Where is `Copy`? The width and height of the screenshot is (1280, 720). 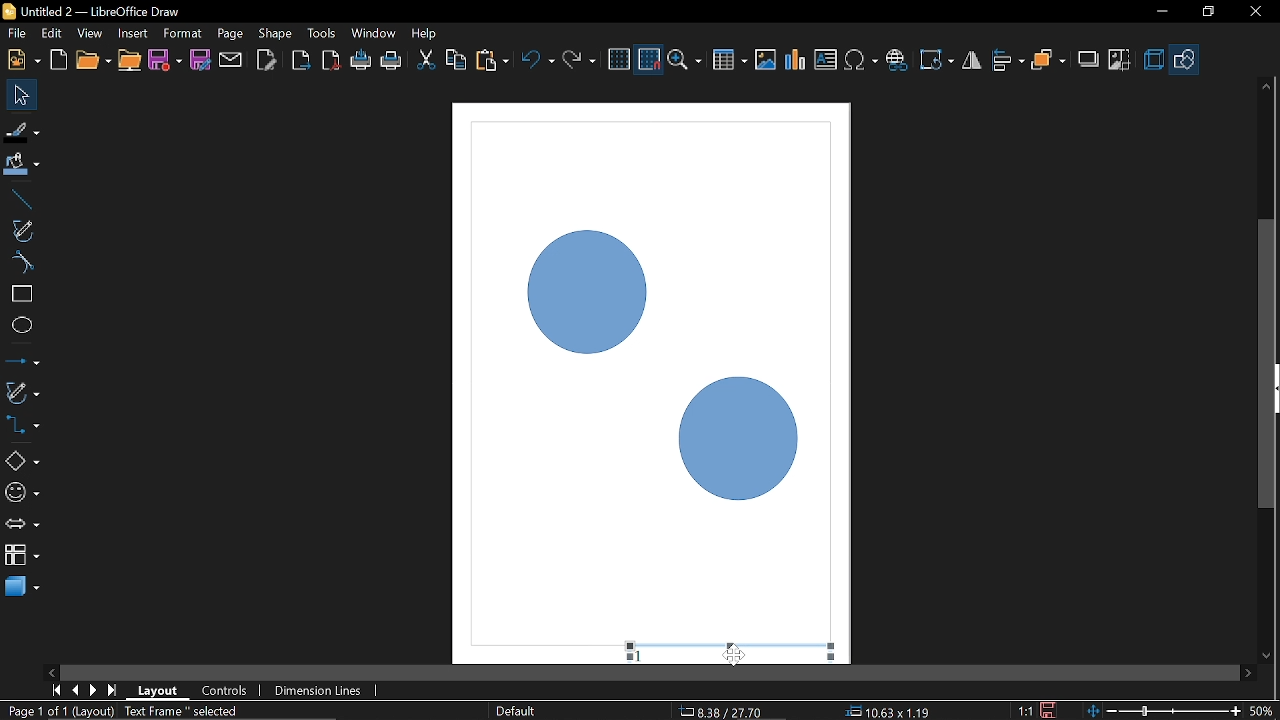 Copy is located at coordinates (456, 63).